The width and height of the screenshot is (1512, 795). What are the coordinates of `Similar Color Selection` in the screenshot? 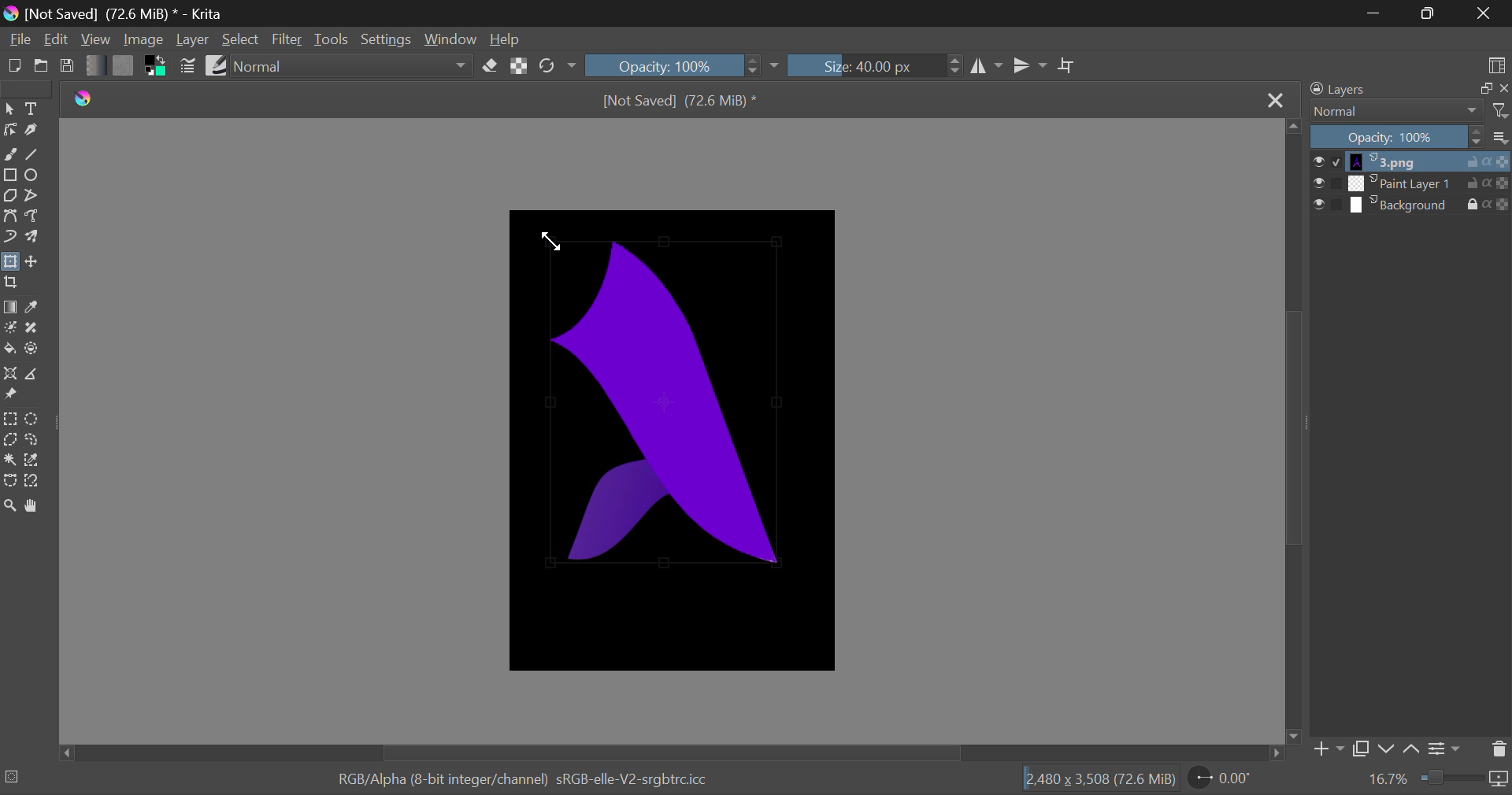 It's located at (32, 460).